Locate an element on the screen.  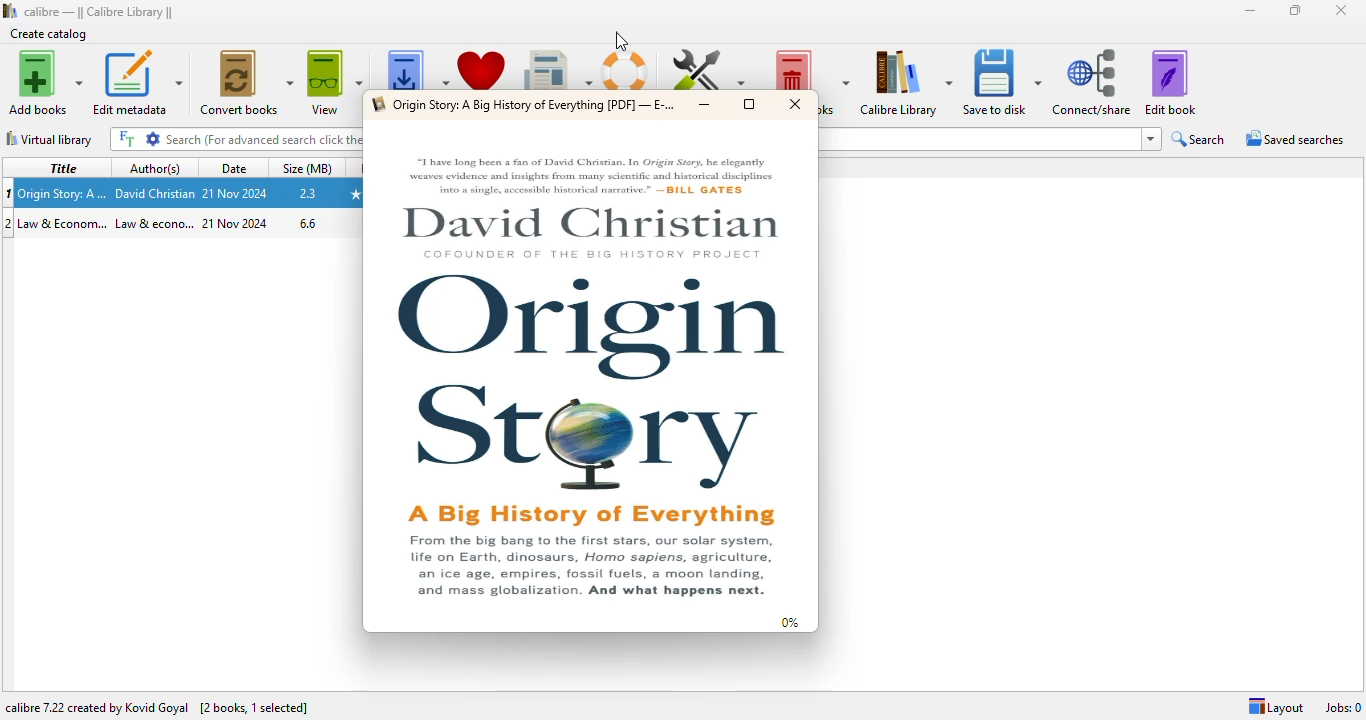
view is located at coordinates (333, 83).